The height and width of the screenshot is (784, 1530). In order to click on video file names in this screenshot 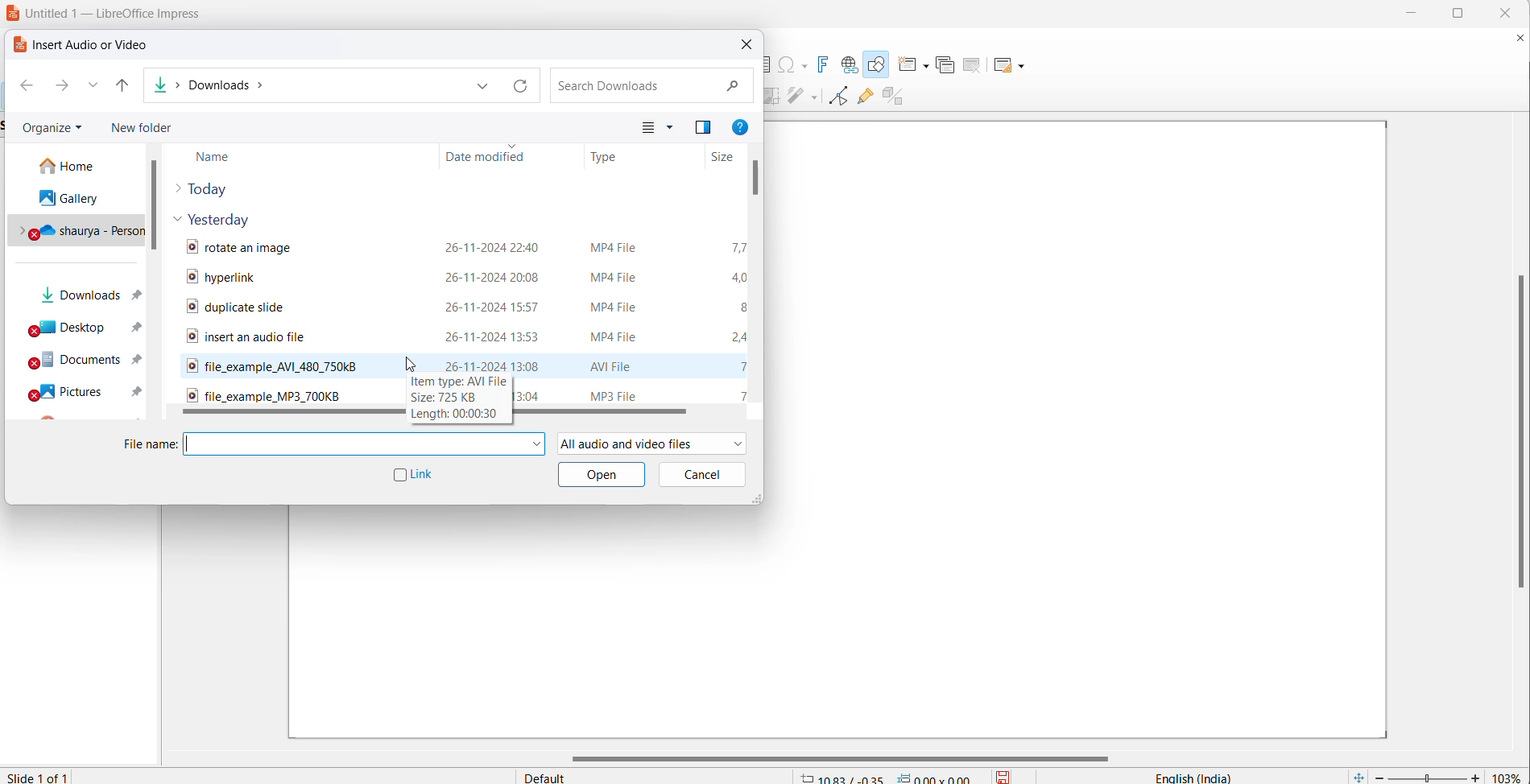, I will do `click(284, 308)`.